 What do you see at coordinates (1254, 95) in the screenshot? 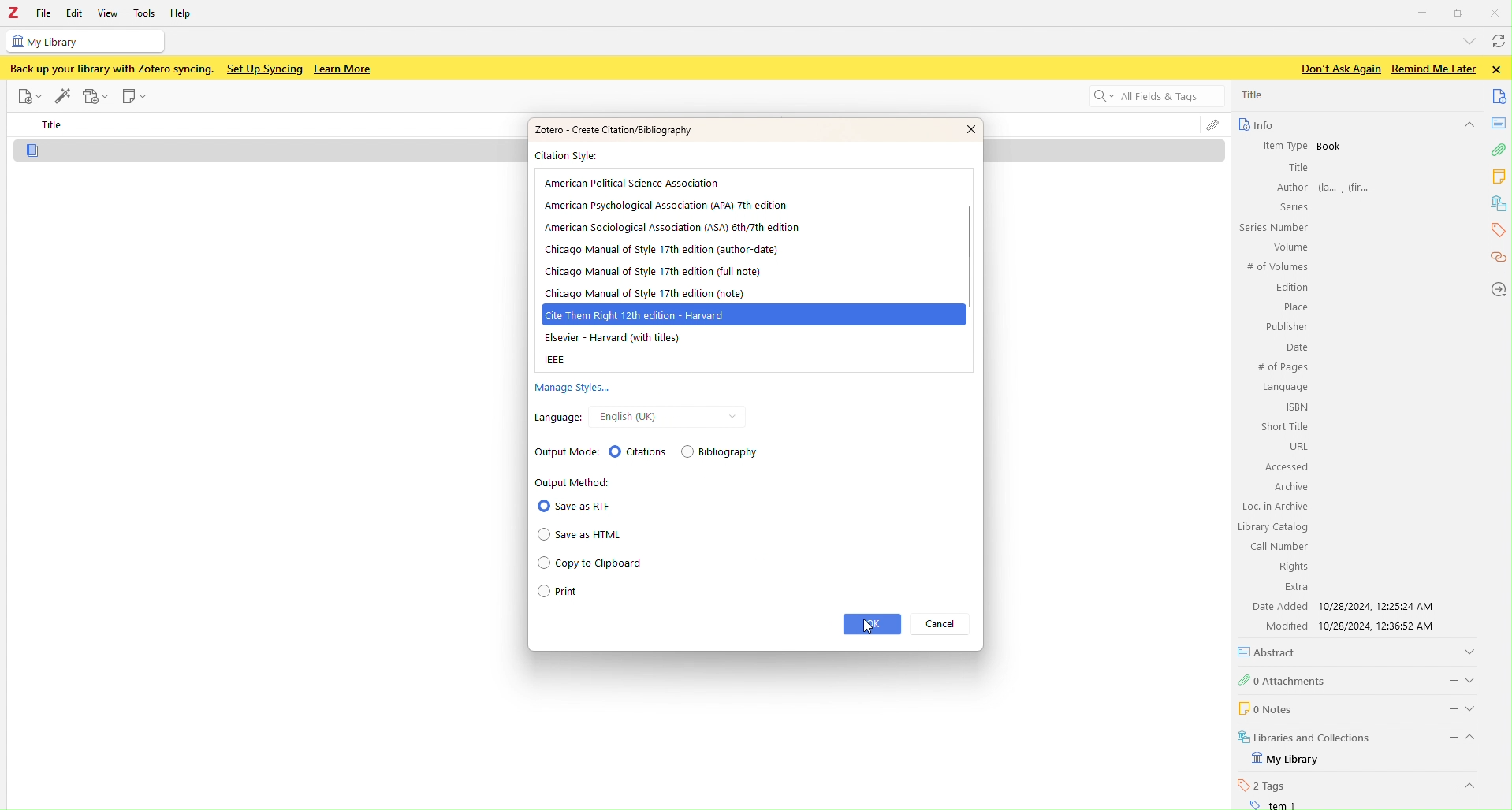
I see `Title` at bounding box center [1254, 95].